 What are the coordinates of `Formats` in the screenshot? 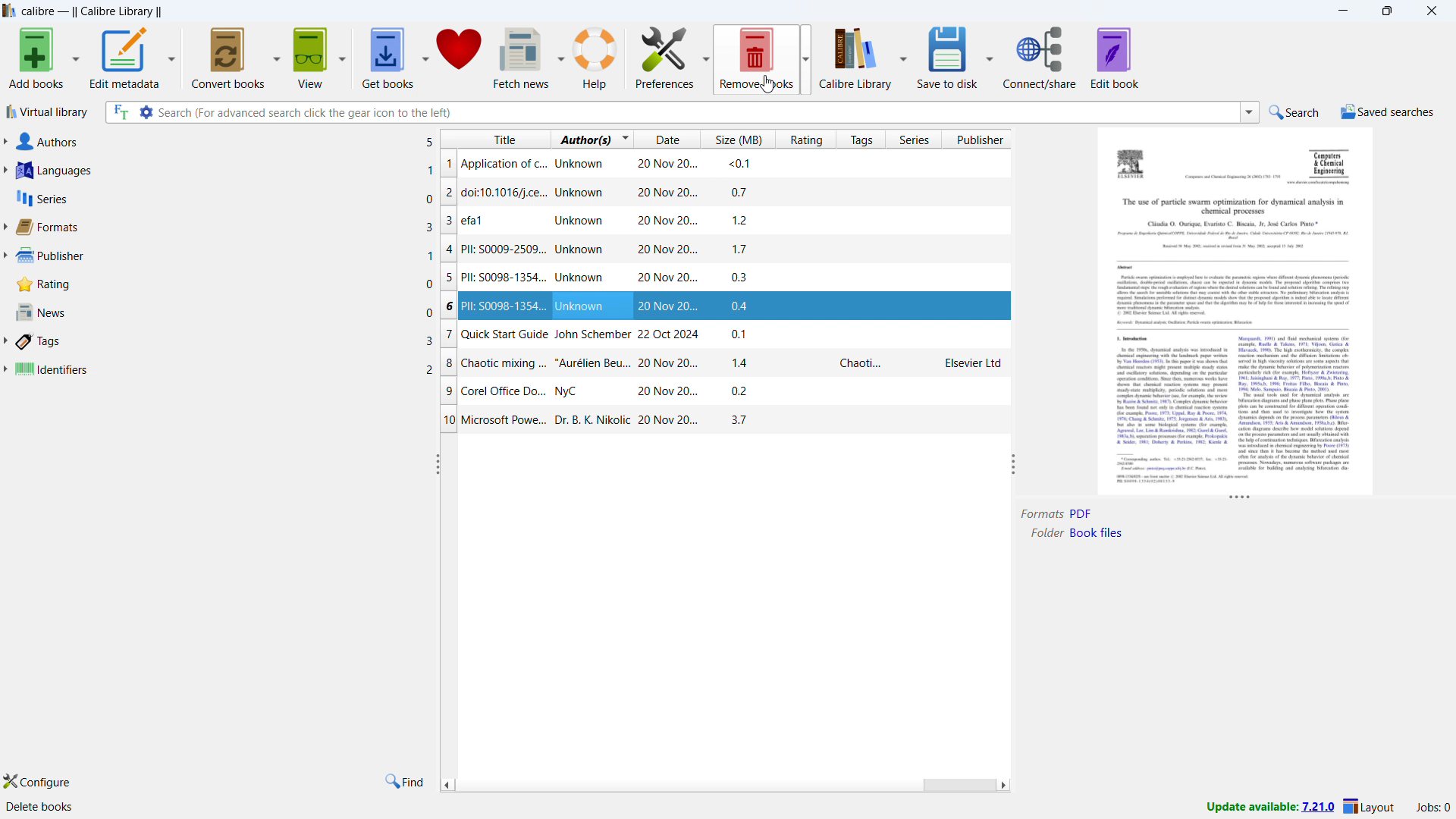 It's located at (1042, 514).